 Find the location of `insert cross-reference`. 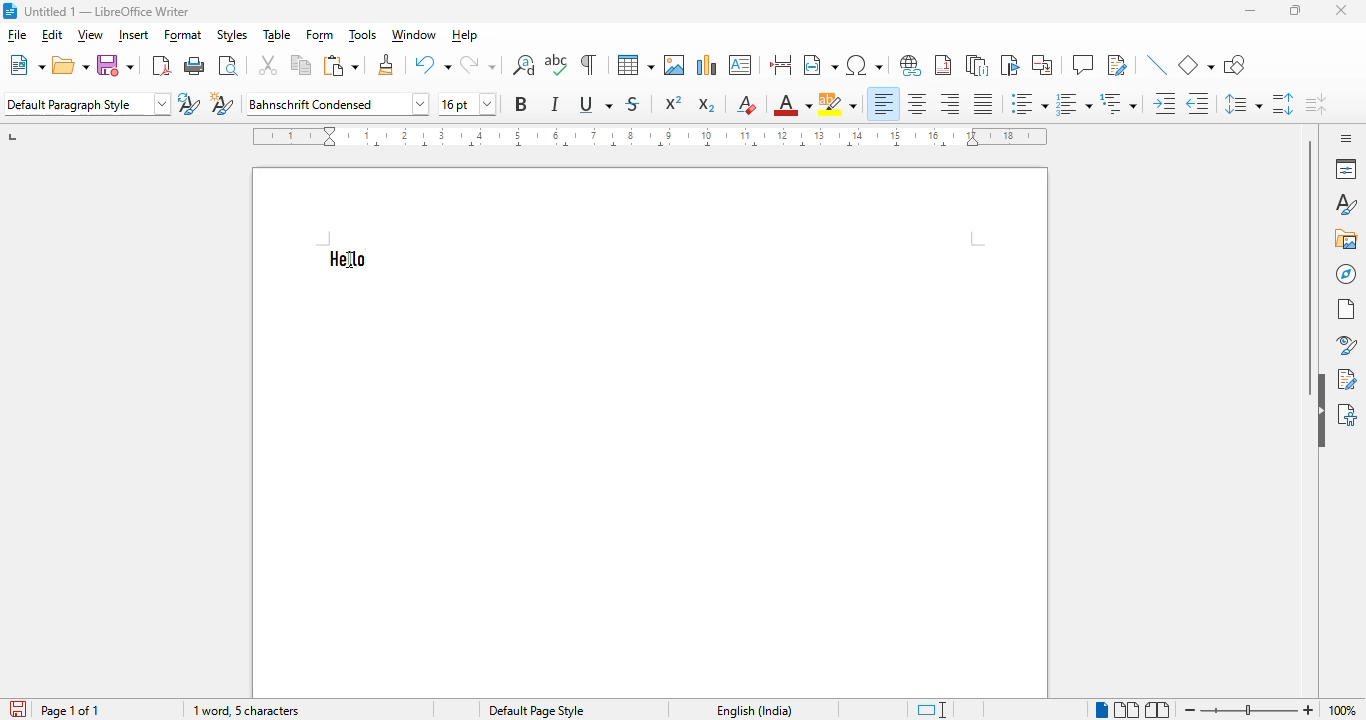

insert cross-reference is located at coordinates (1042, 64).